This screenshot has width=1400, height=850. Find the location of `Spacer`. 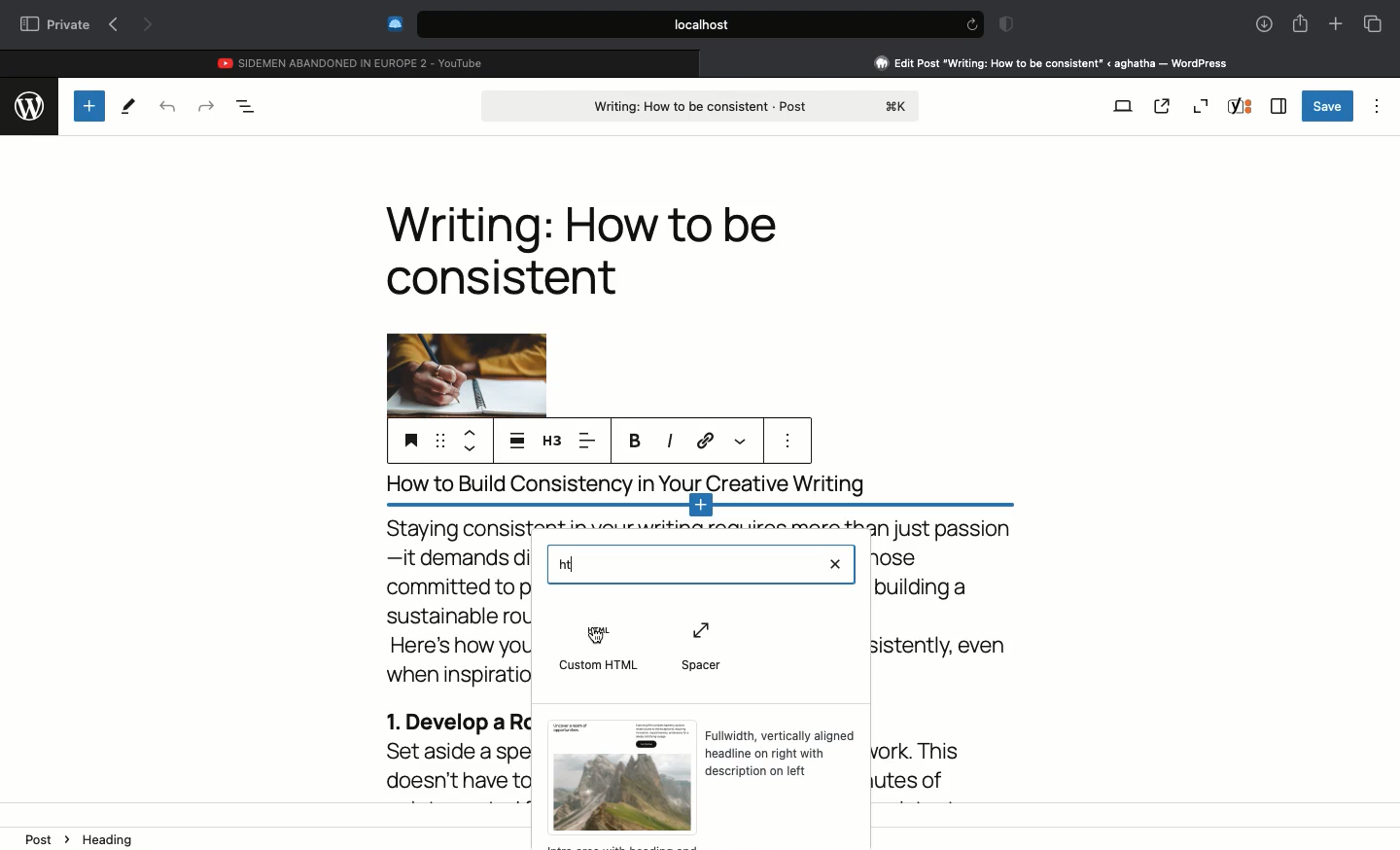

Spacer is located at coordinates (699, 650).